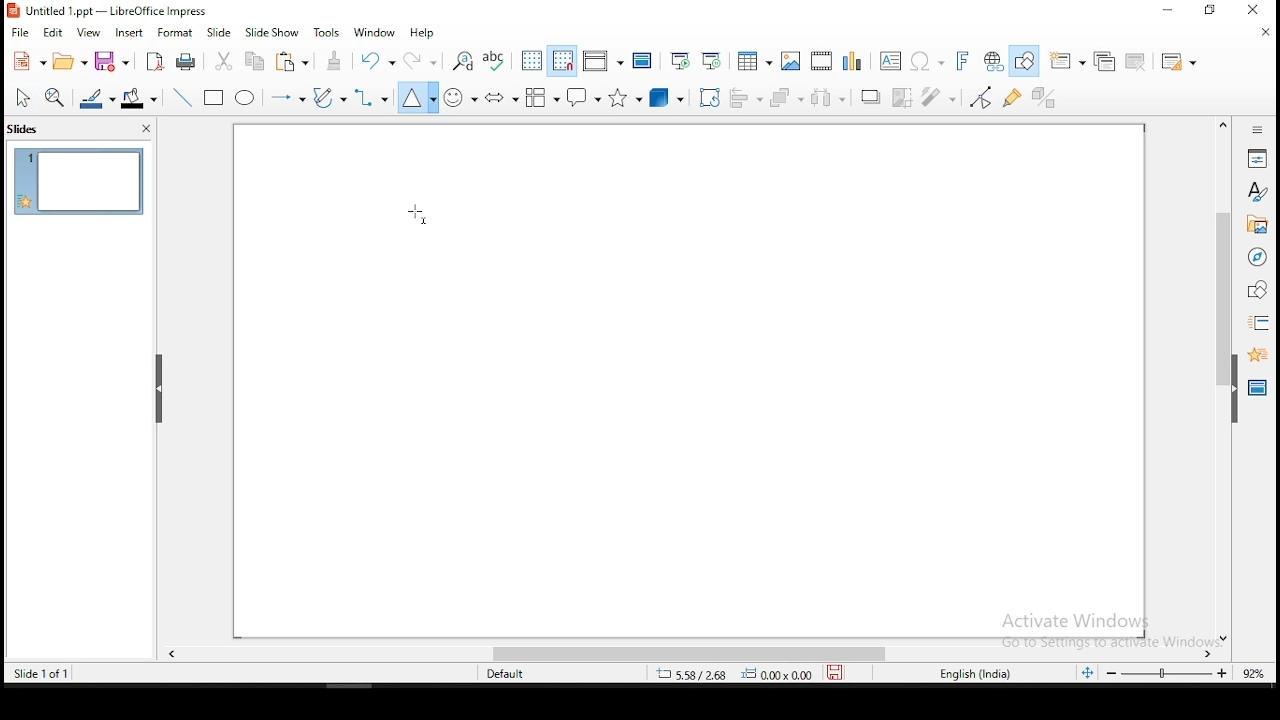 The height and width of the screenshot is (720, 1280). I want to click on shapes, so click(1258, 291).